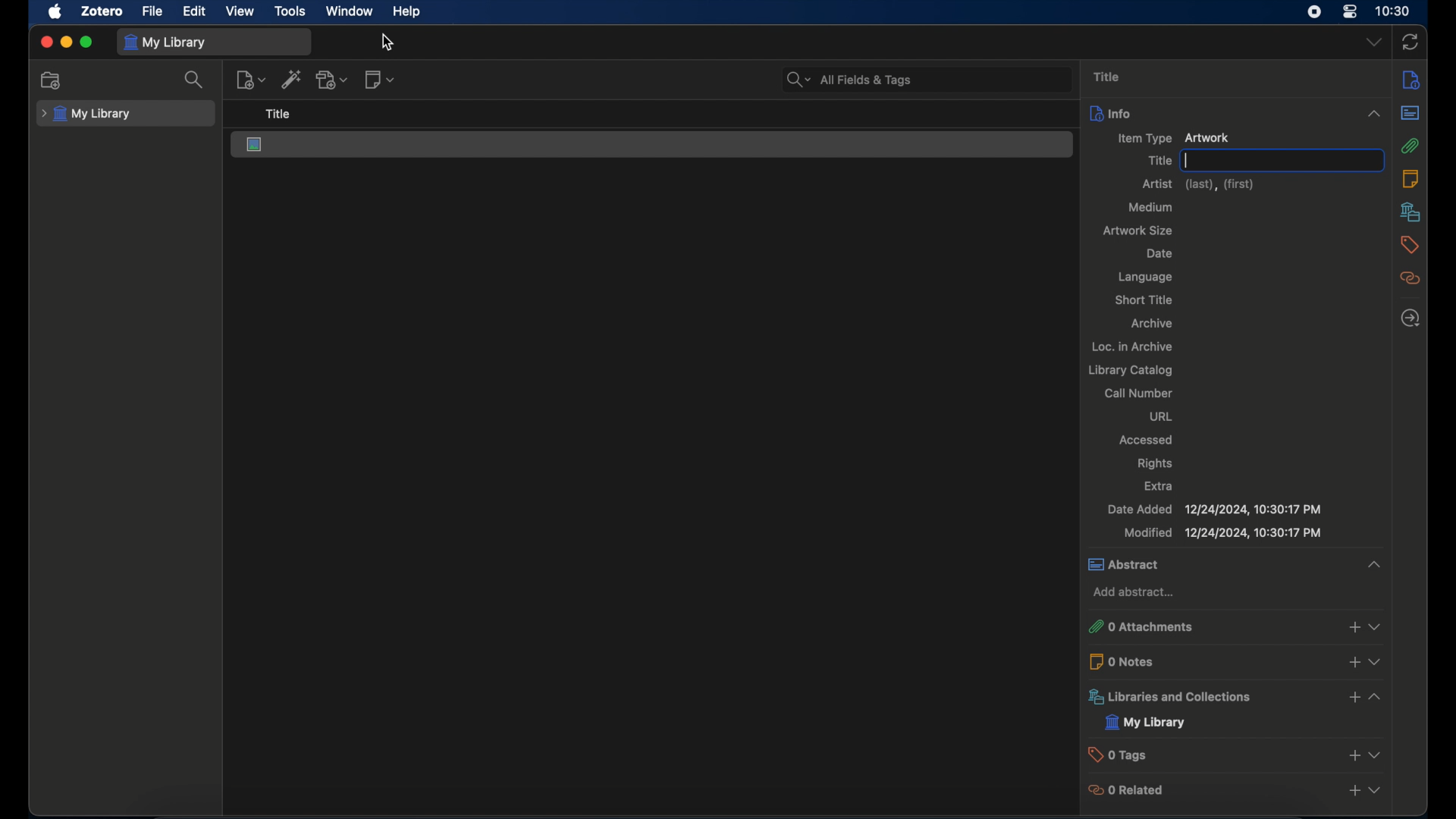  What do you see at coordinates (379, 79) in the screenshot?
I see `new notes` at bounding box center [379, 79].